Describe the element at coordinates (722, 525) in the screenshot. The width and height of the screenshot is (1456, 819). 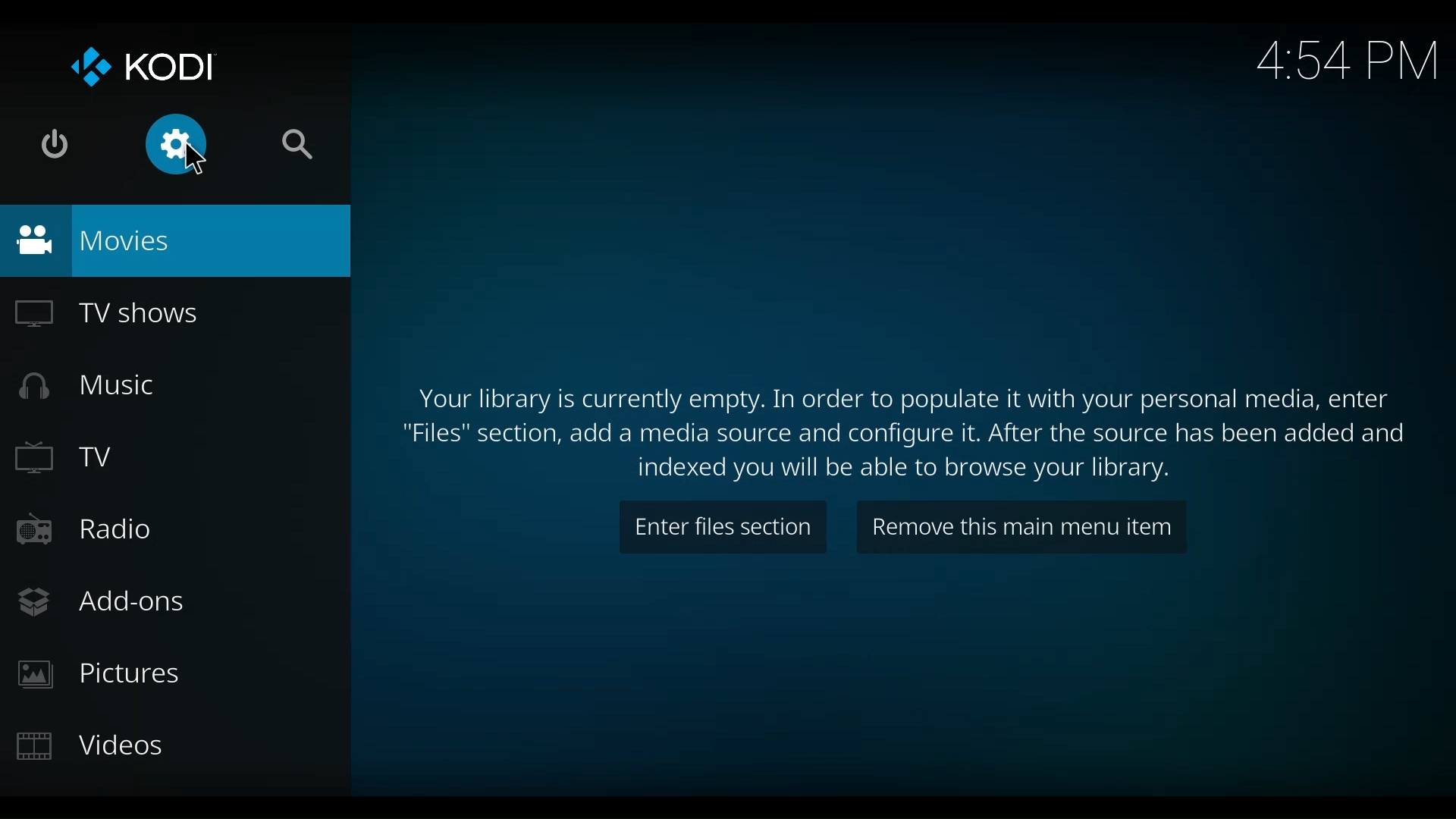
I see `Enter files section` at that location.